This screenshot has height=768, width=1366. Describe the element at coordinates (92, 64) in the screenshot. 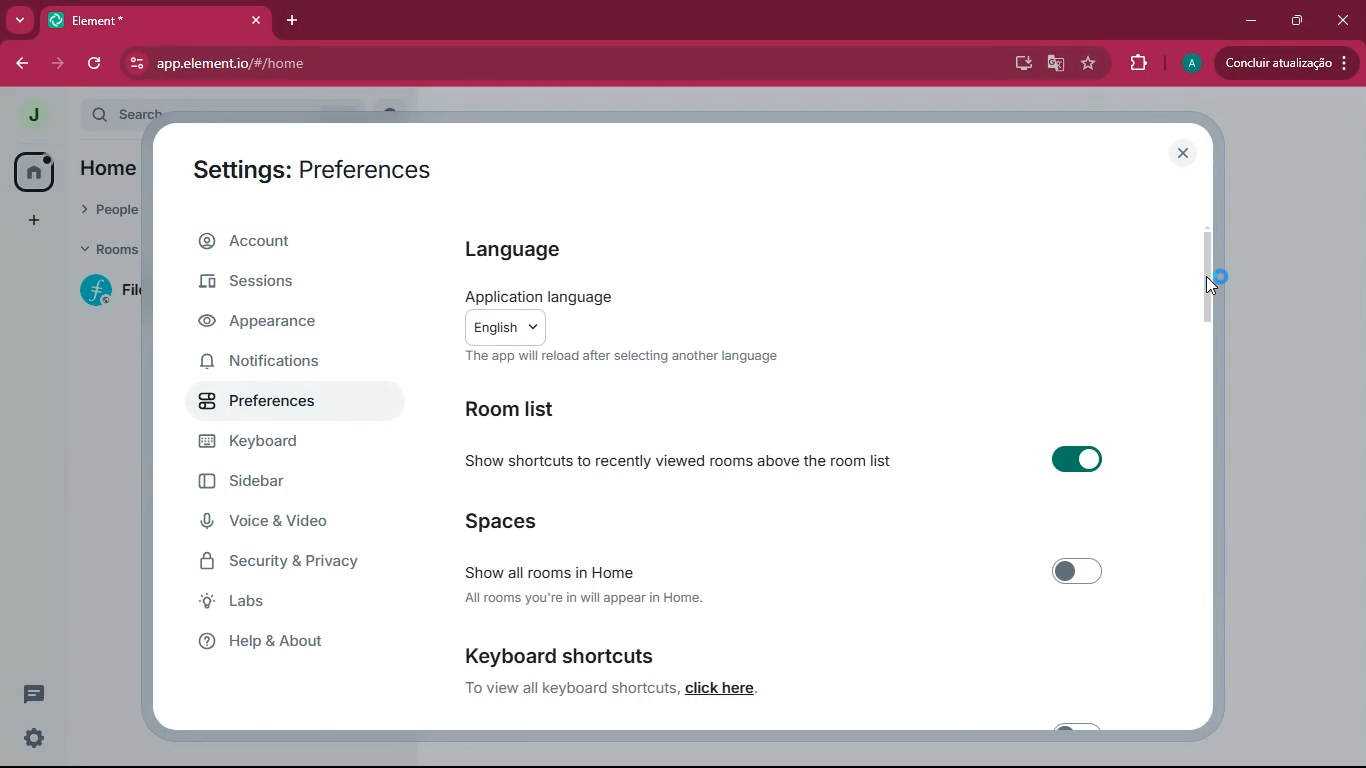

I see `refresh` at that location.